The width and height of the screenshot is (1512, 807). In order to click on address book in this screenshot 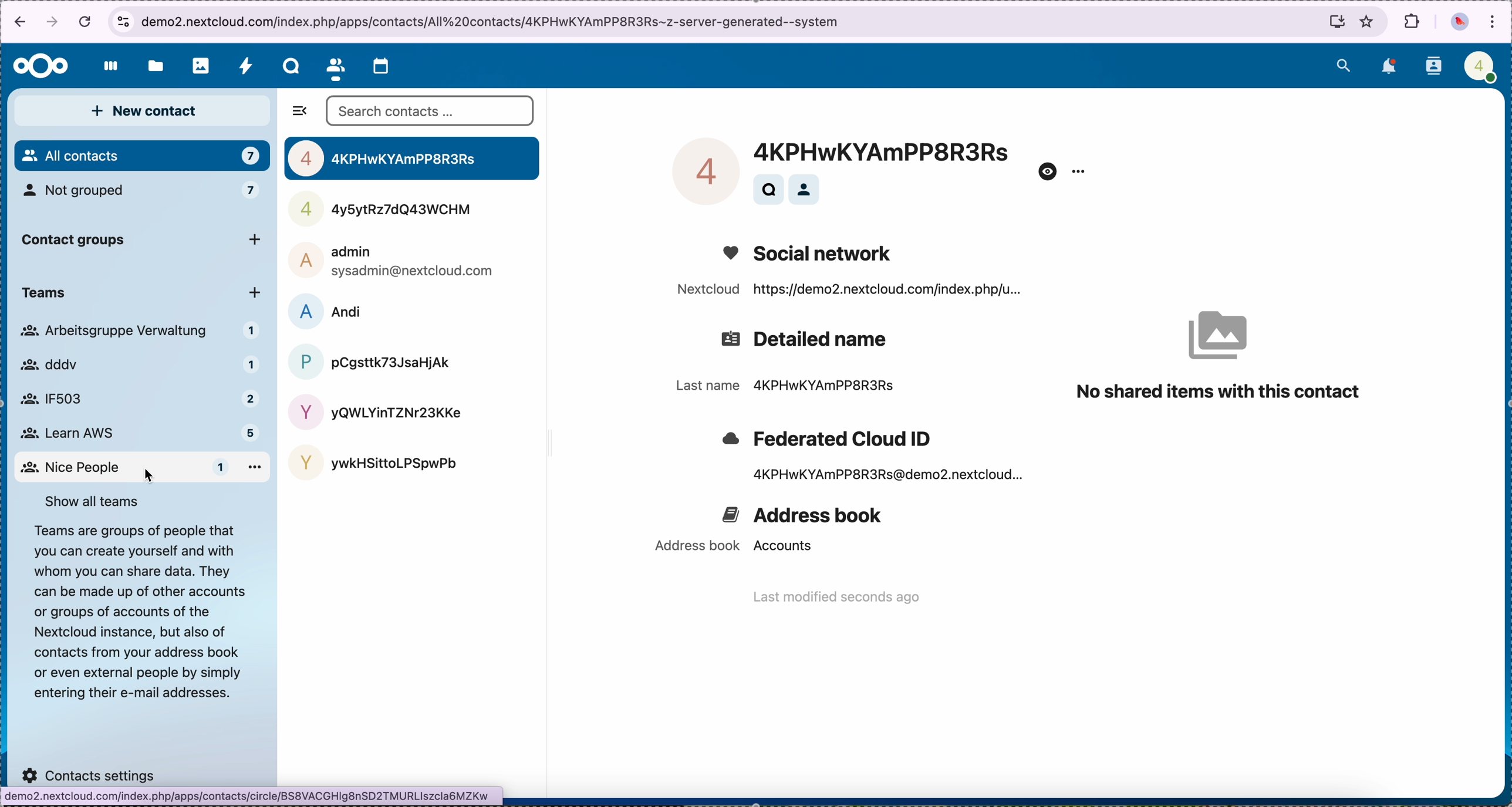, I will do `click(730, 548)`.